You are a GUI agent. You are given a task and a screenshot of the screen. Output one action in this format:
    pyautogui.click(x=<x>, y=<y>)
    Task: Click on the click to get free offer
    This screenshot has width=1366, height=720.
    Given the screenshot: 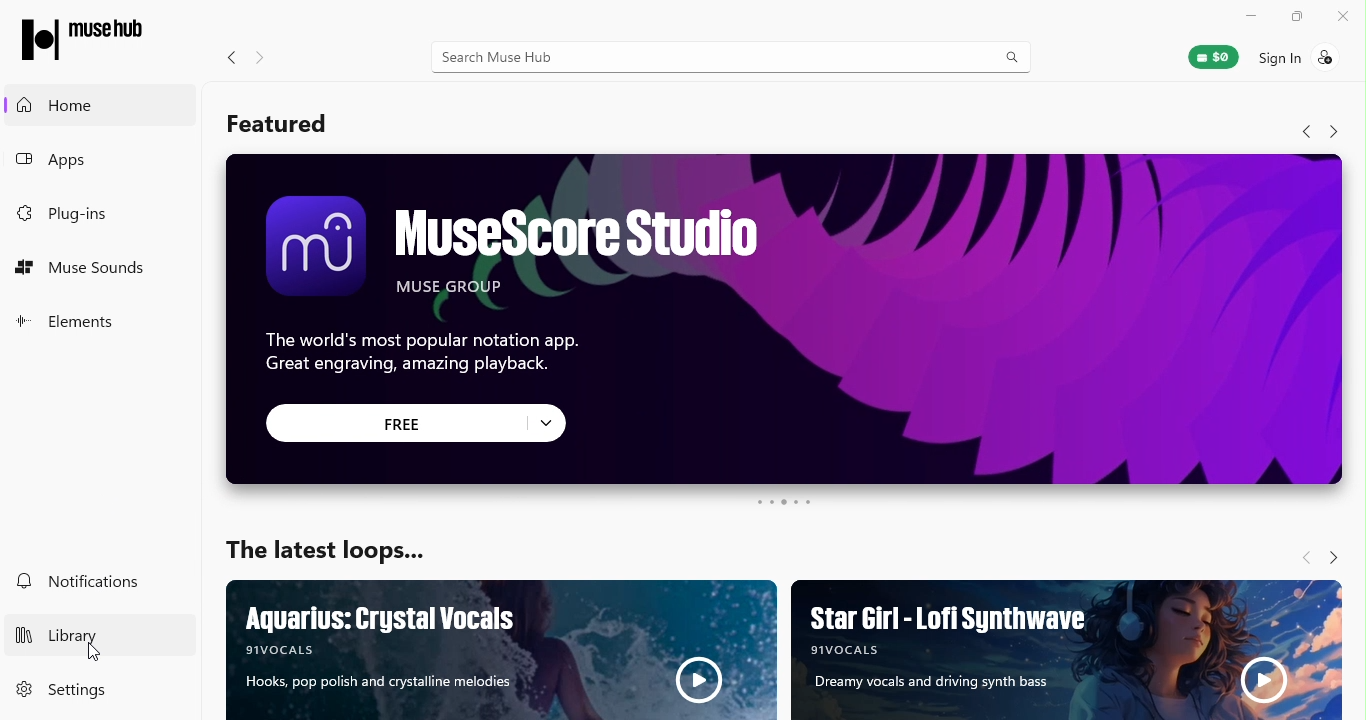 What is the action you would take?
    pyautogui.click(x=415, y=426)
    